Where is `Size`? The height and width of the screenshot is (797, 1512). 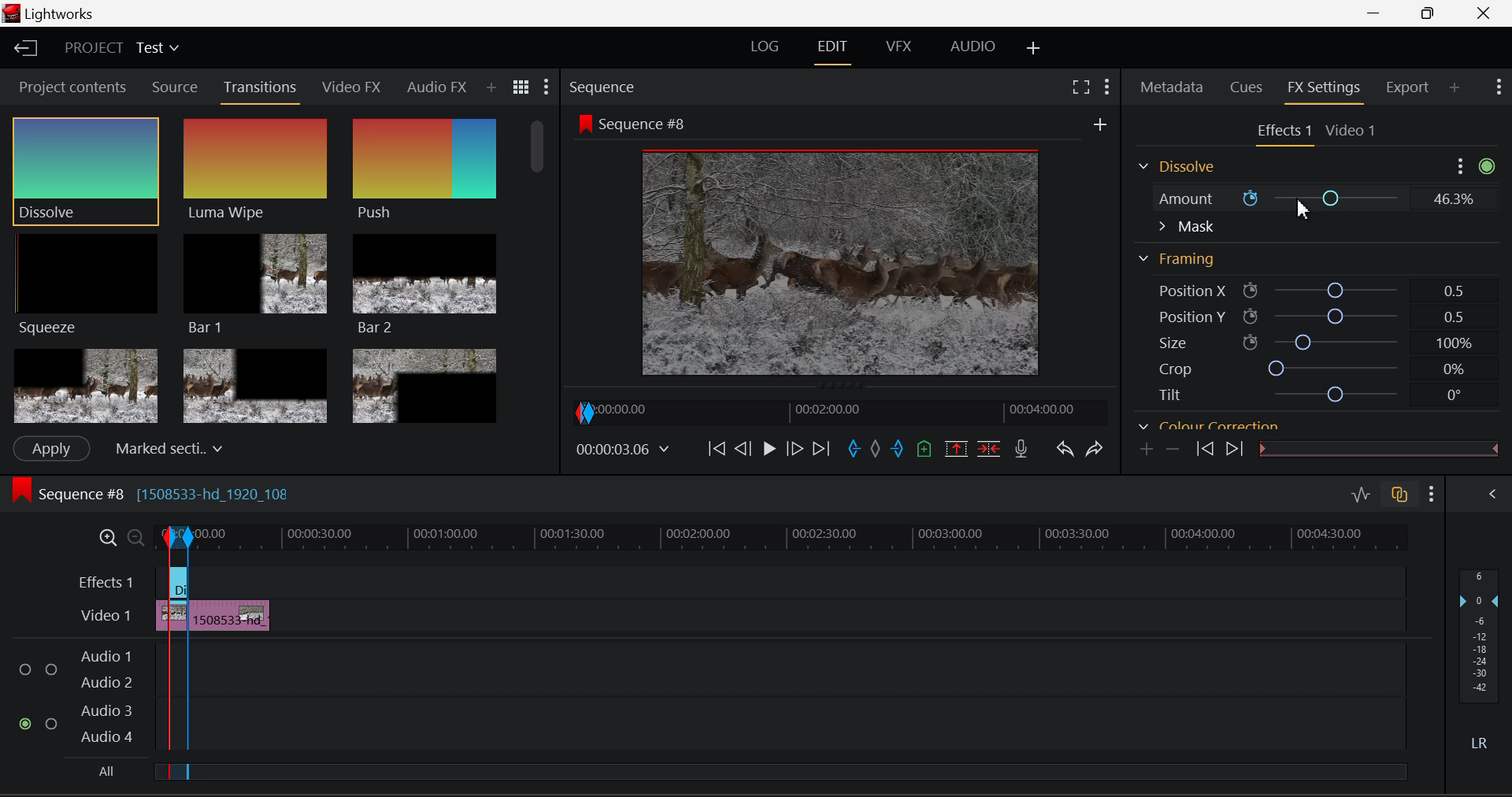 Size is located at coordinates (1307, 343).